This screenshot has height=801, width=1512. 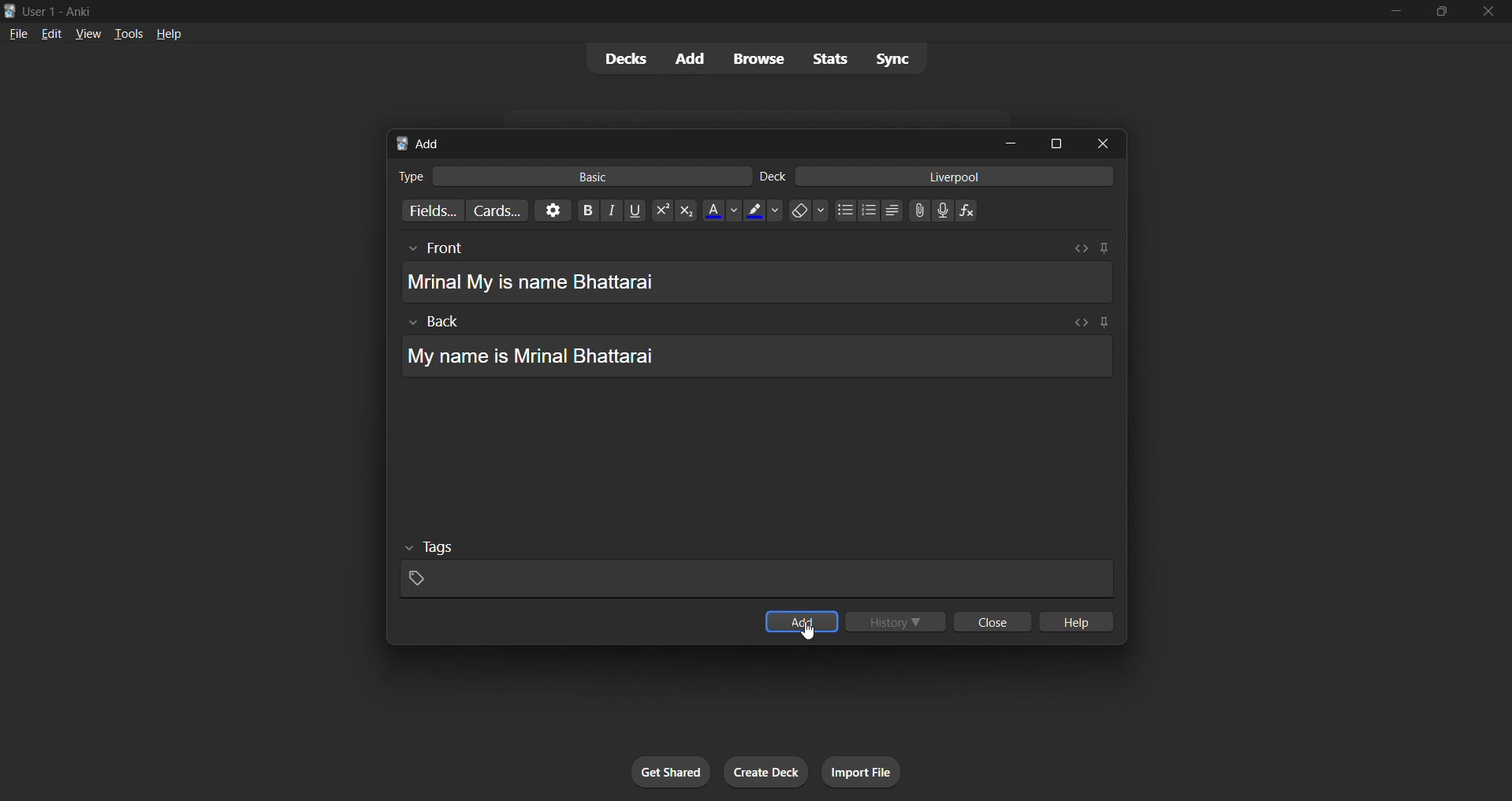 I want to click on super script, so click(x=657, y=210).